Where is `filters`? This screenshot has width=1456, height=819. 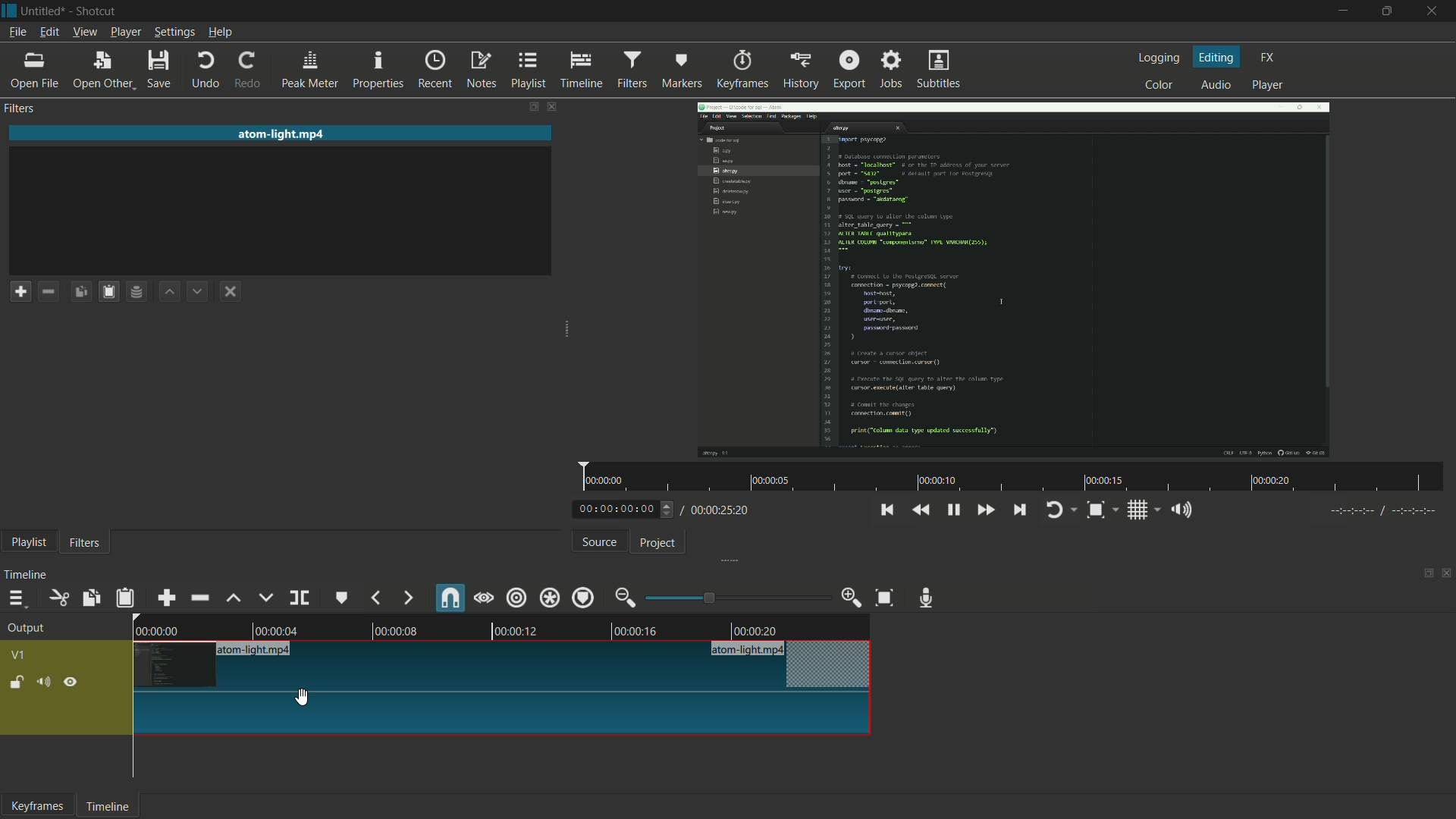
filters is located at coordinates (19, 109).